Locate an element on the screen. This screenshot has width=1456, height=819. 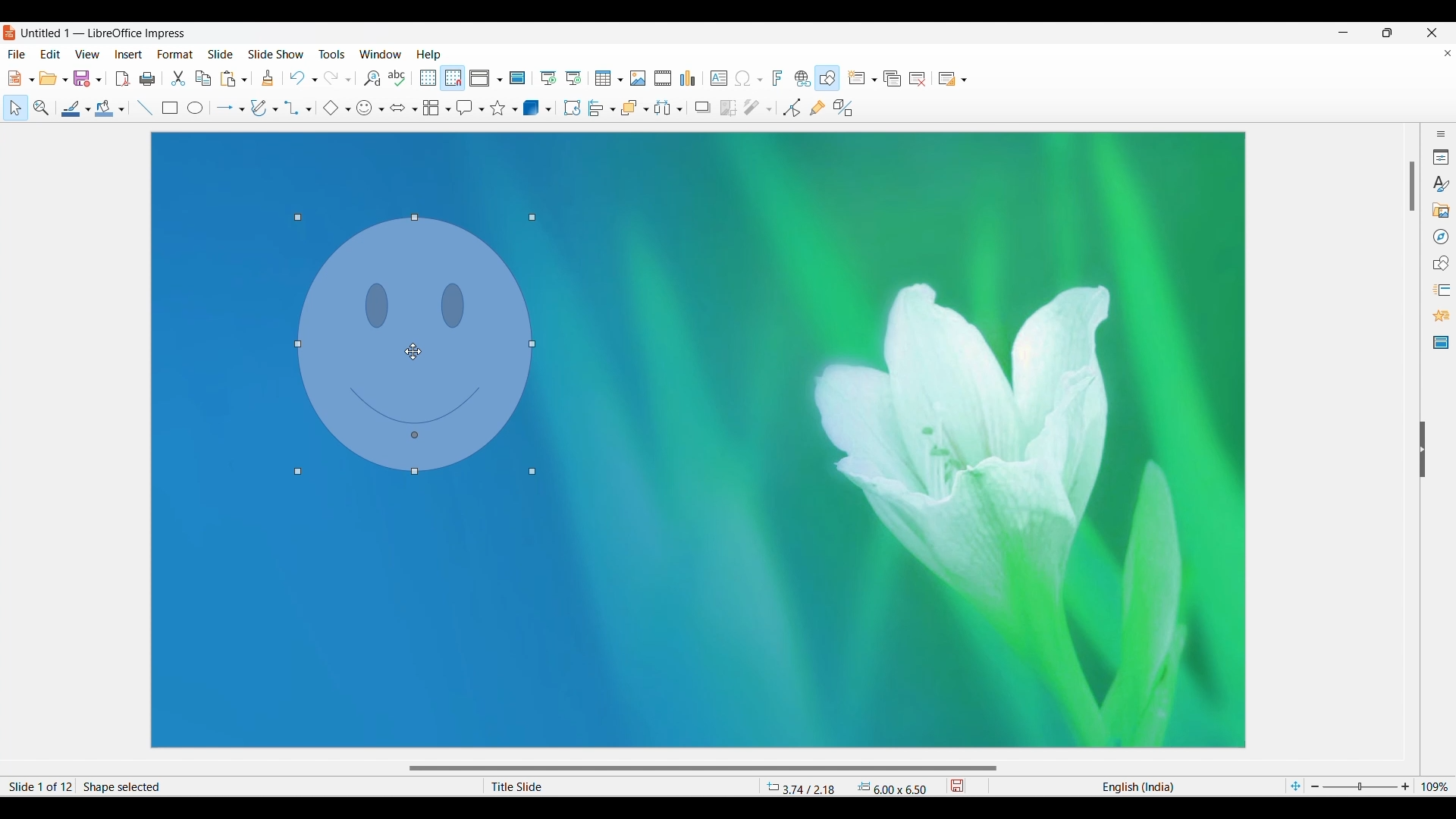
slide transition is located at coordinates (1444, 290).